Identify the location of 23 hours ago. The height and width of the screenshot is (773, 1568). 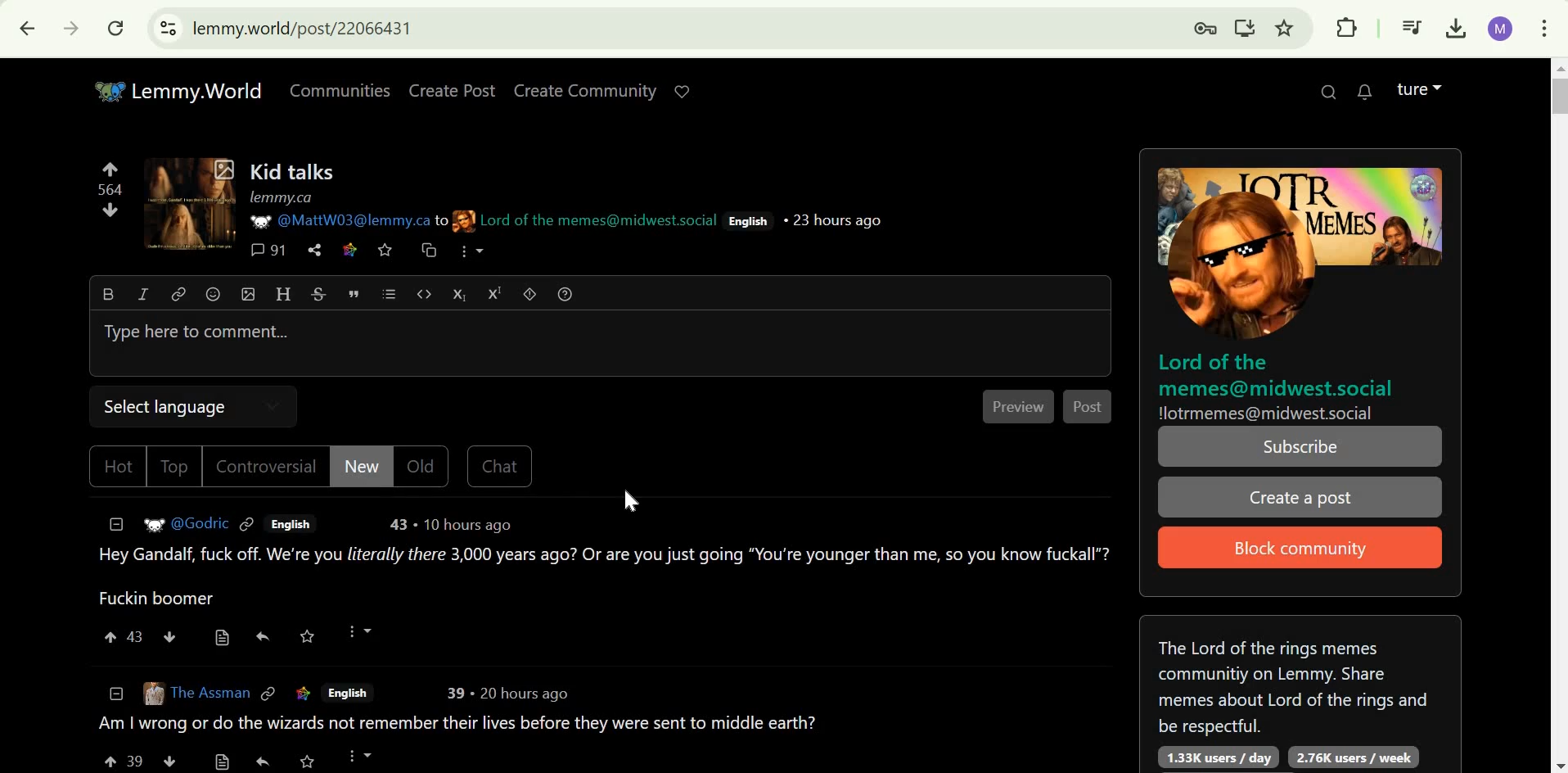
(835, 219).